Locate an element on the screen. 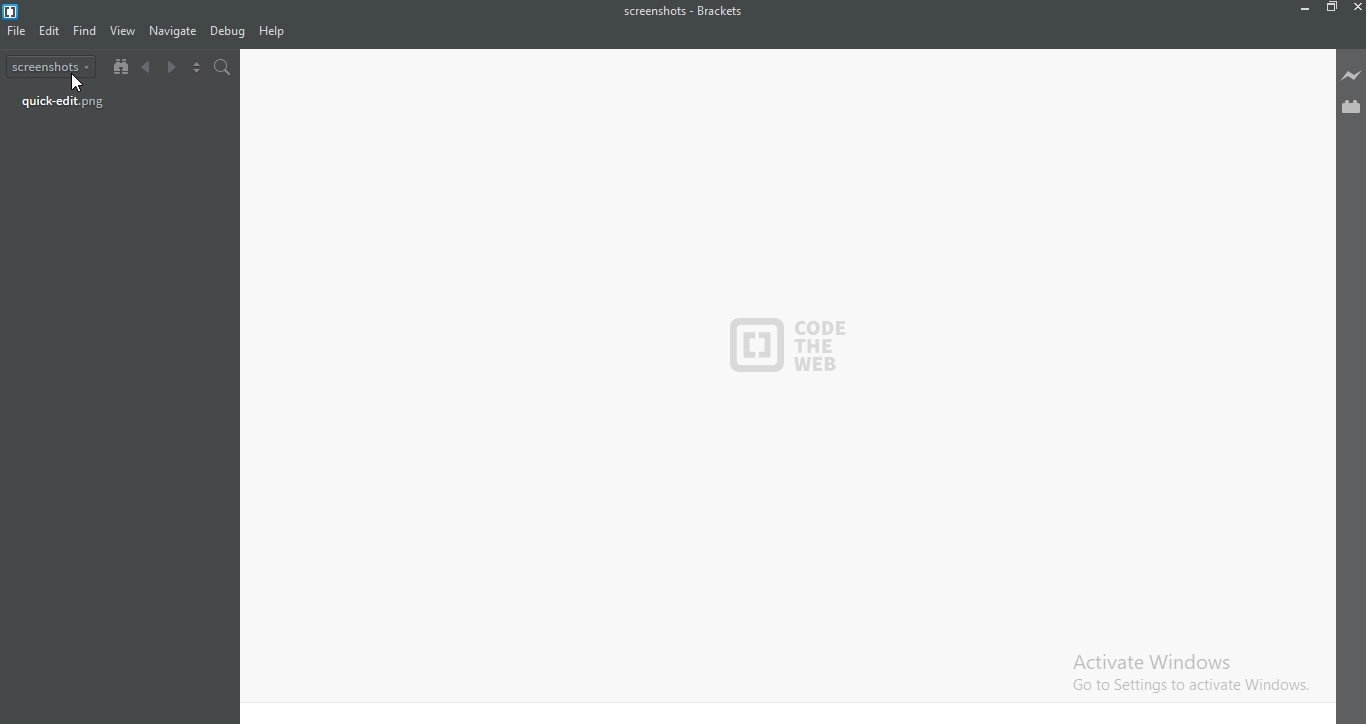  Debug is located at coordinates (228, 32).